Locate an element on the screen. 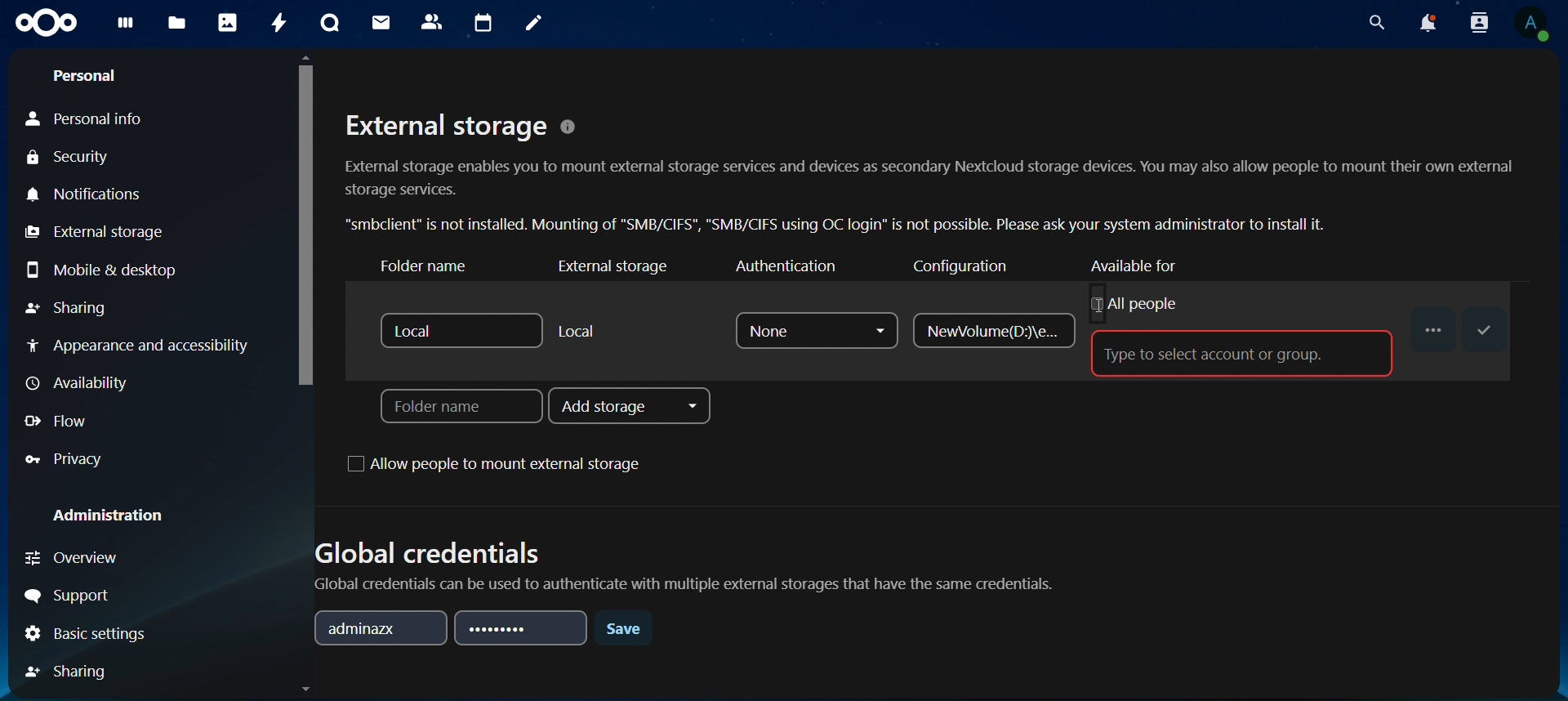 The width and height of the screenshot is (1568, 701). notifications is located at coordinates (84, 194).